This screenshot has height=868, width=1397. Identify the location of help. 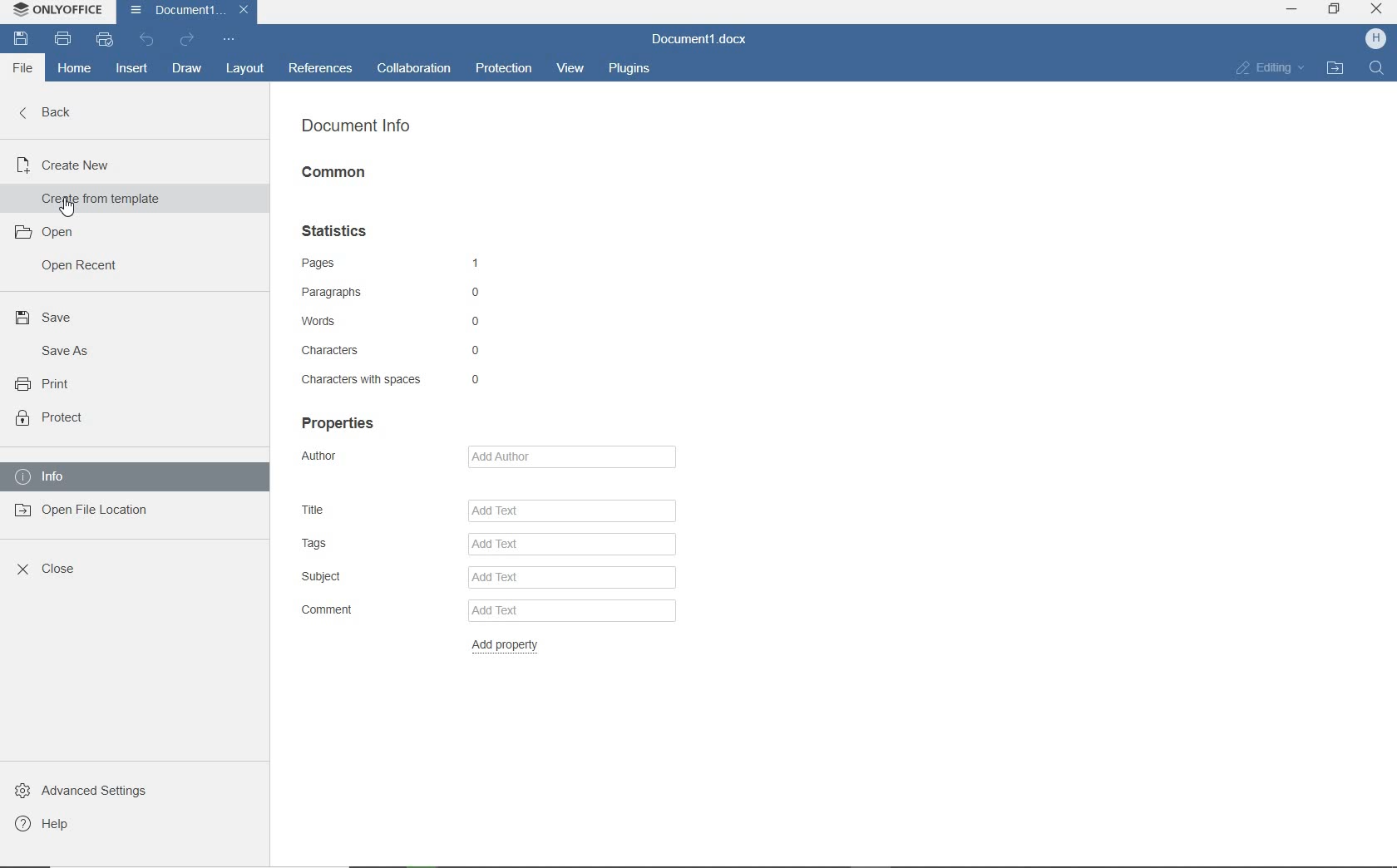
(51, 824).